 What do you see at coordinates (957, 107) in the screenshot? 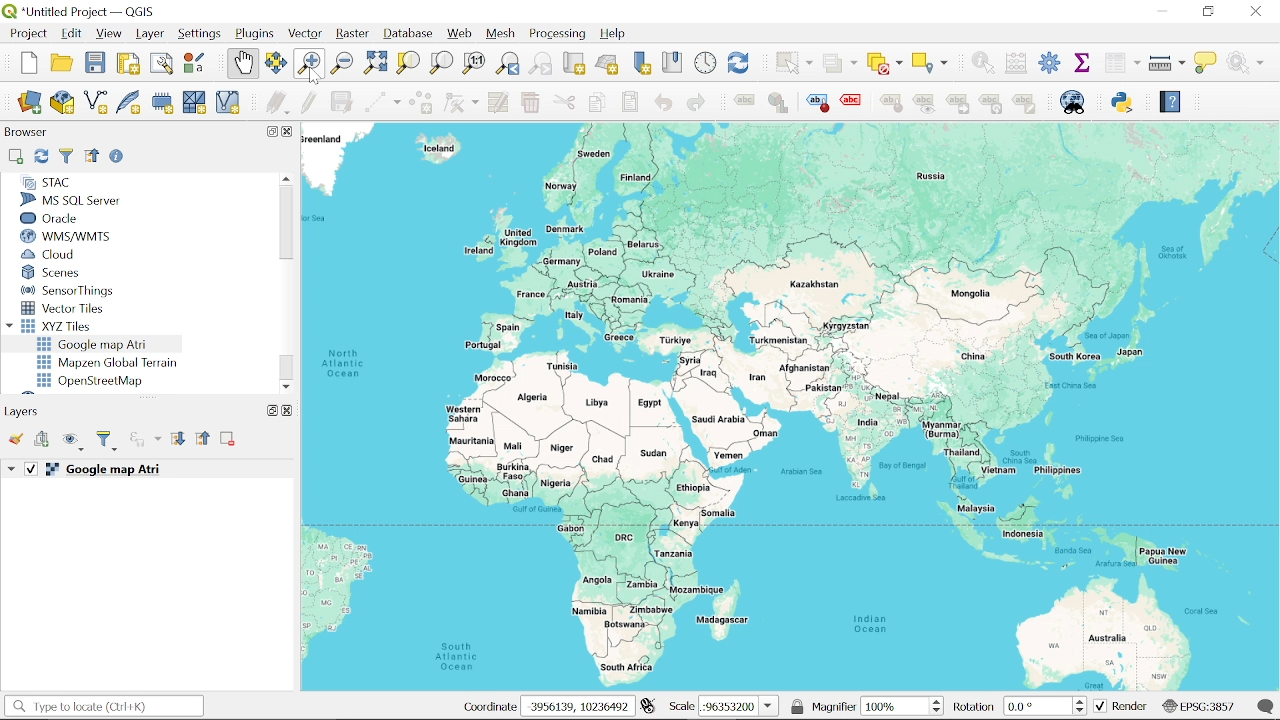
I see `Move a label, diagrams or callout` at bounding box center [957, 107].